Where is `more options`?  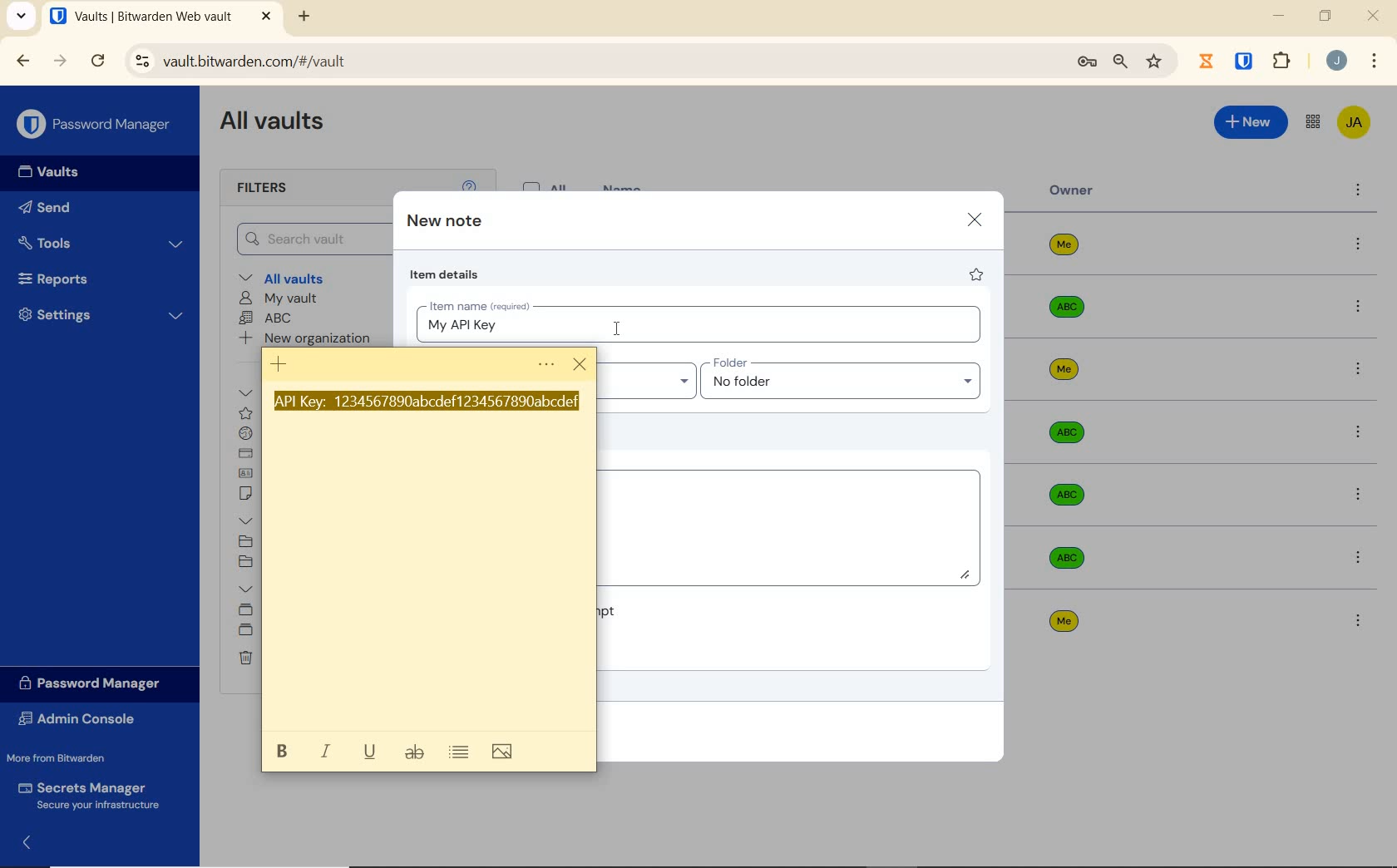
more options is located at coordinates (1357, 432).